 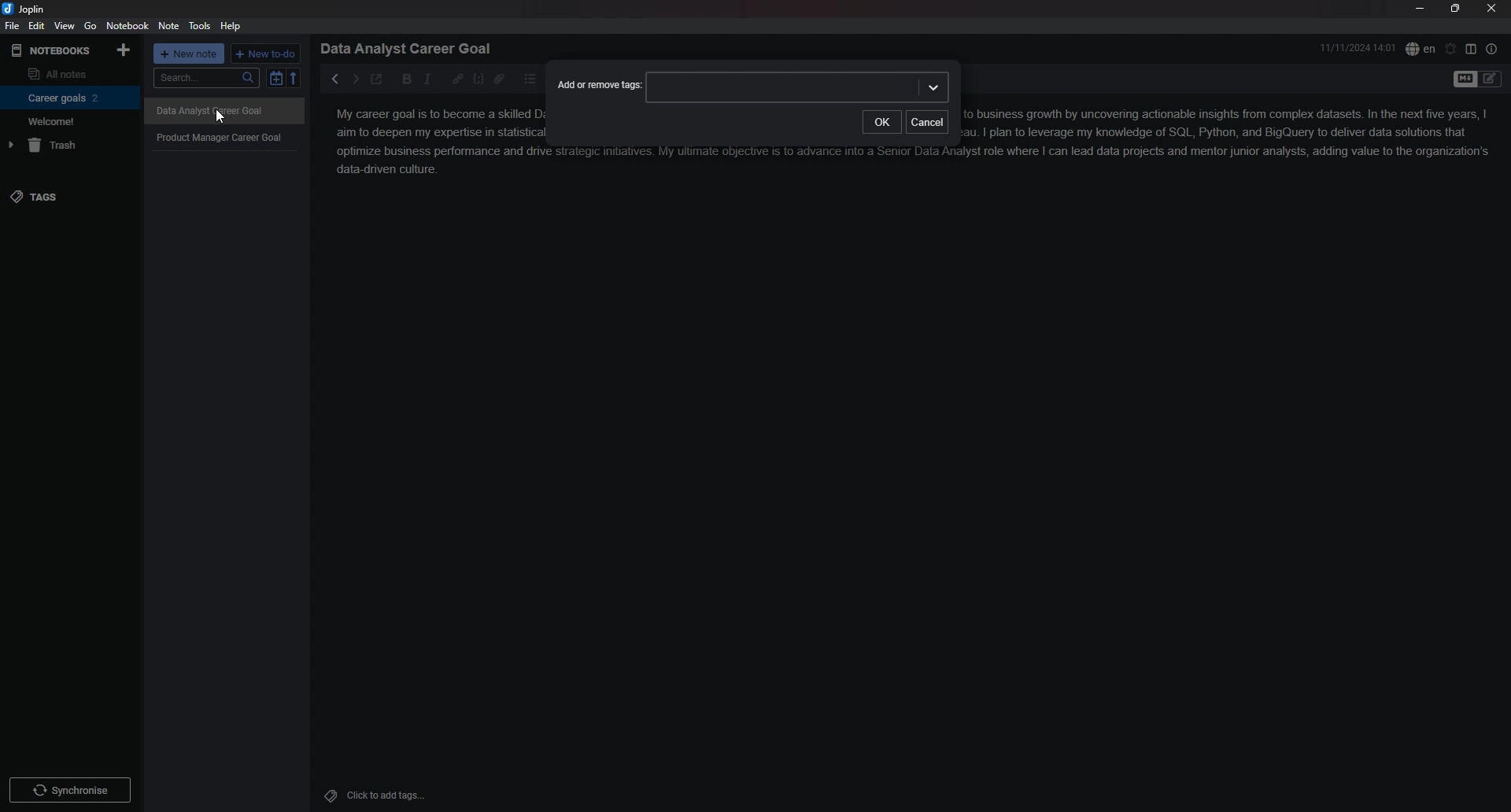 I want to click on Career goals 2, so click(x=67, y=98).